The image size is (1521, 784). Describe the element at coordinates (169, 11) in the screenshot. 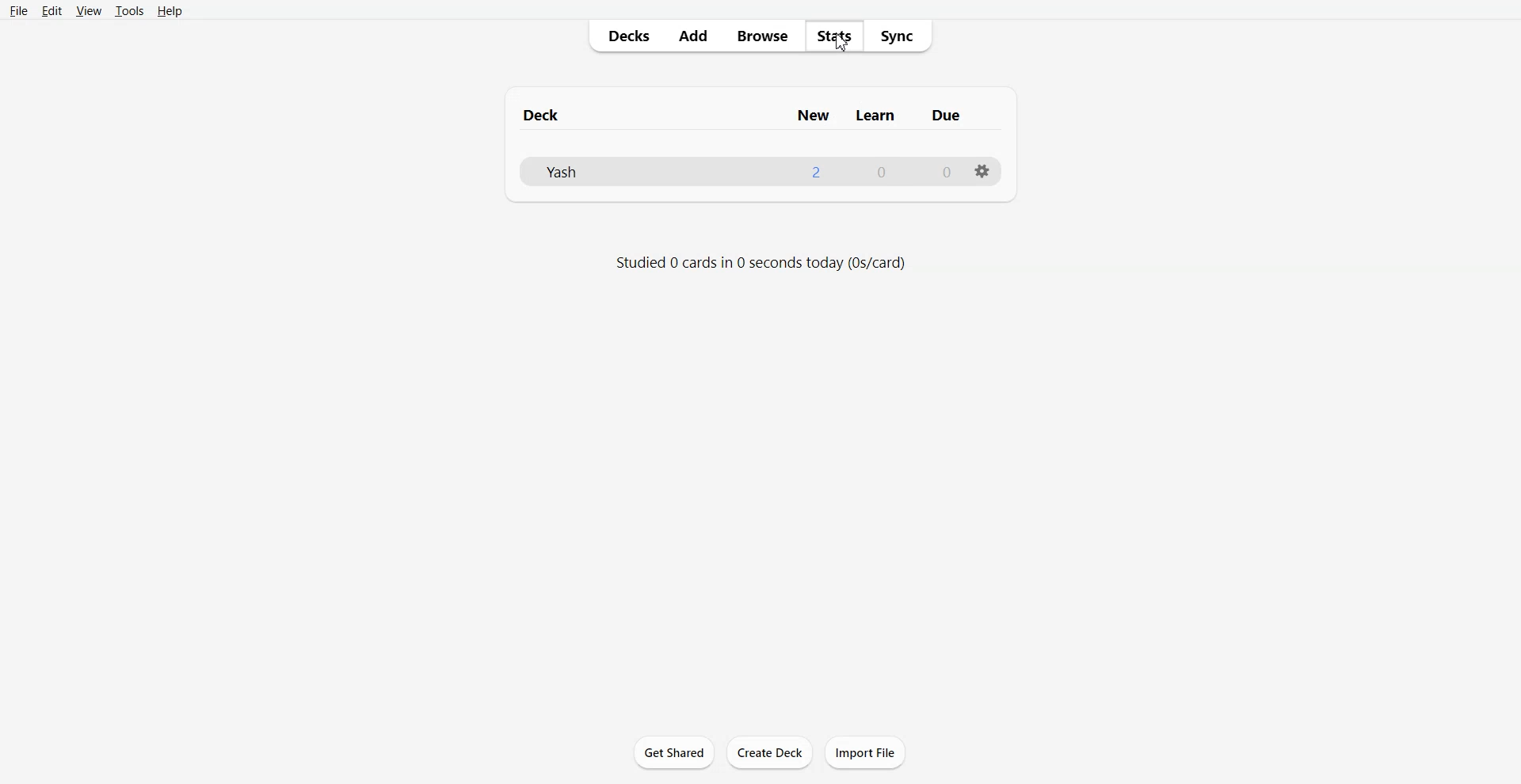

I see `Help` at that location.